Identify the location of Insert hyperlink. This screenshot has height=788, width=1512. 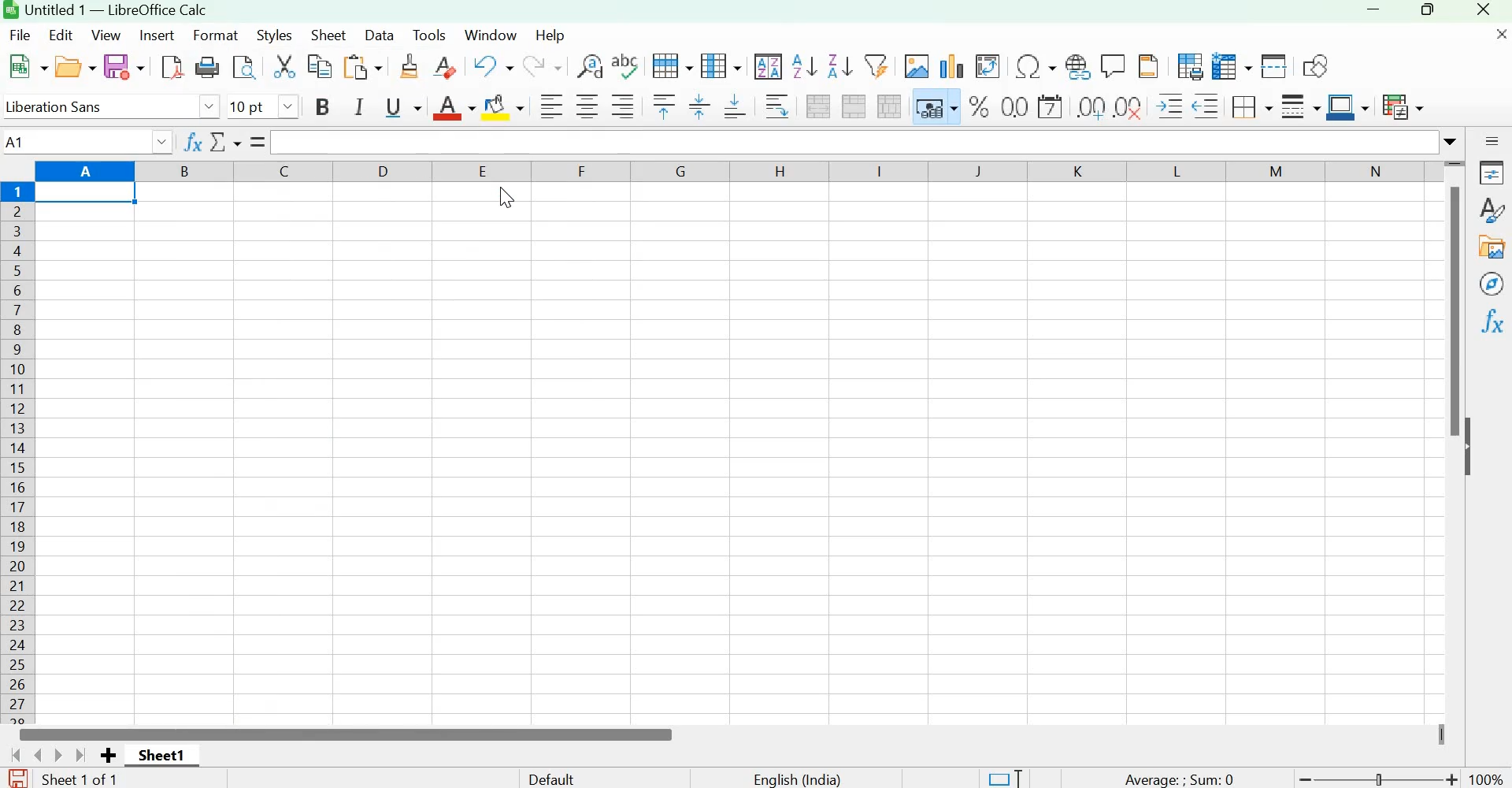
(1078, 64).